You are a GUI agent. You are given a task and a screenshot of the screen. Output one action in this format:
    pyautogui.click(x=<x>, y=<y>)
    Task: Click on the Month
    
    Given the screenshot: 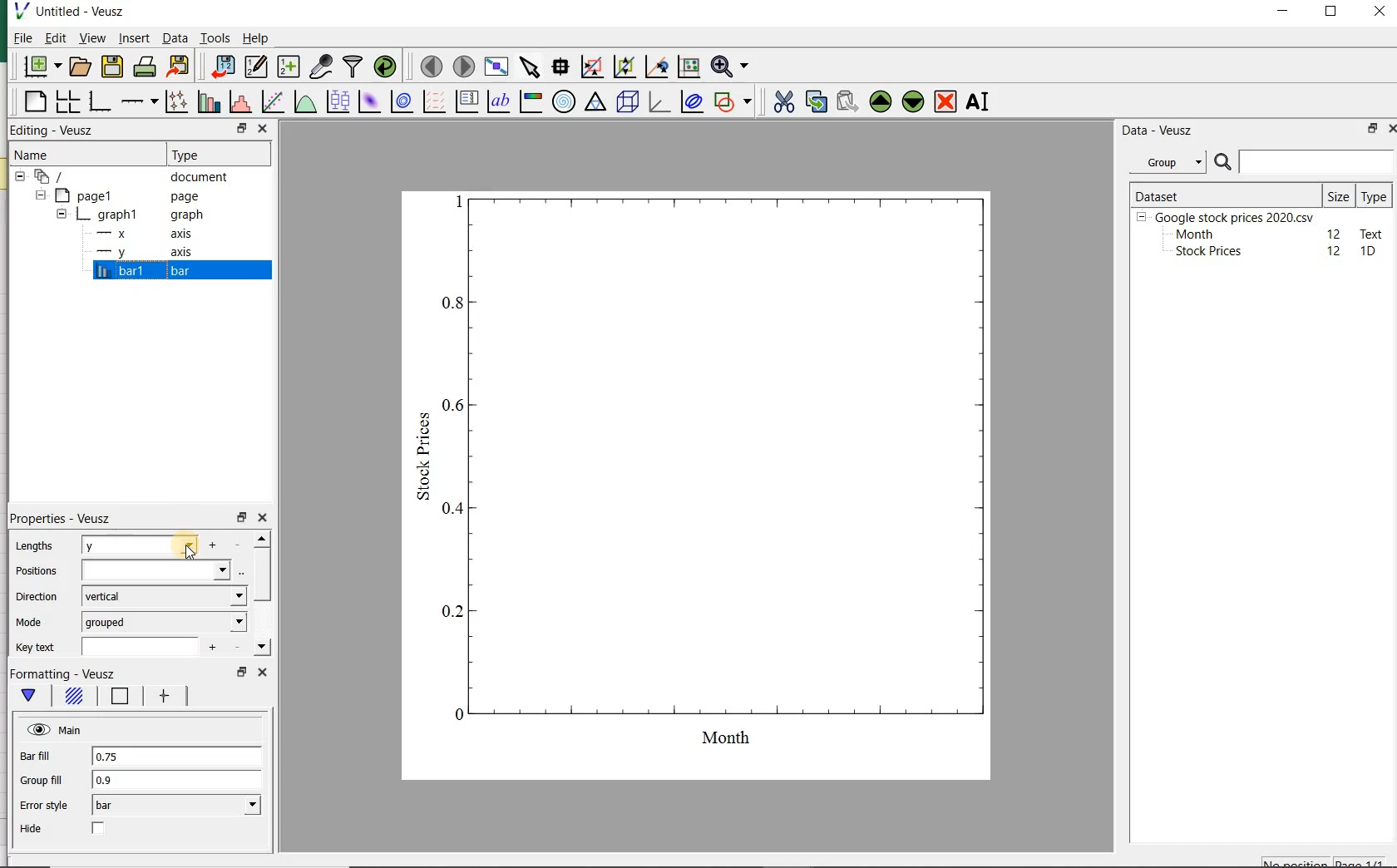 What is the action you would take?
    pyautogui.click(x=1193, y=234)
    